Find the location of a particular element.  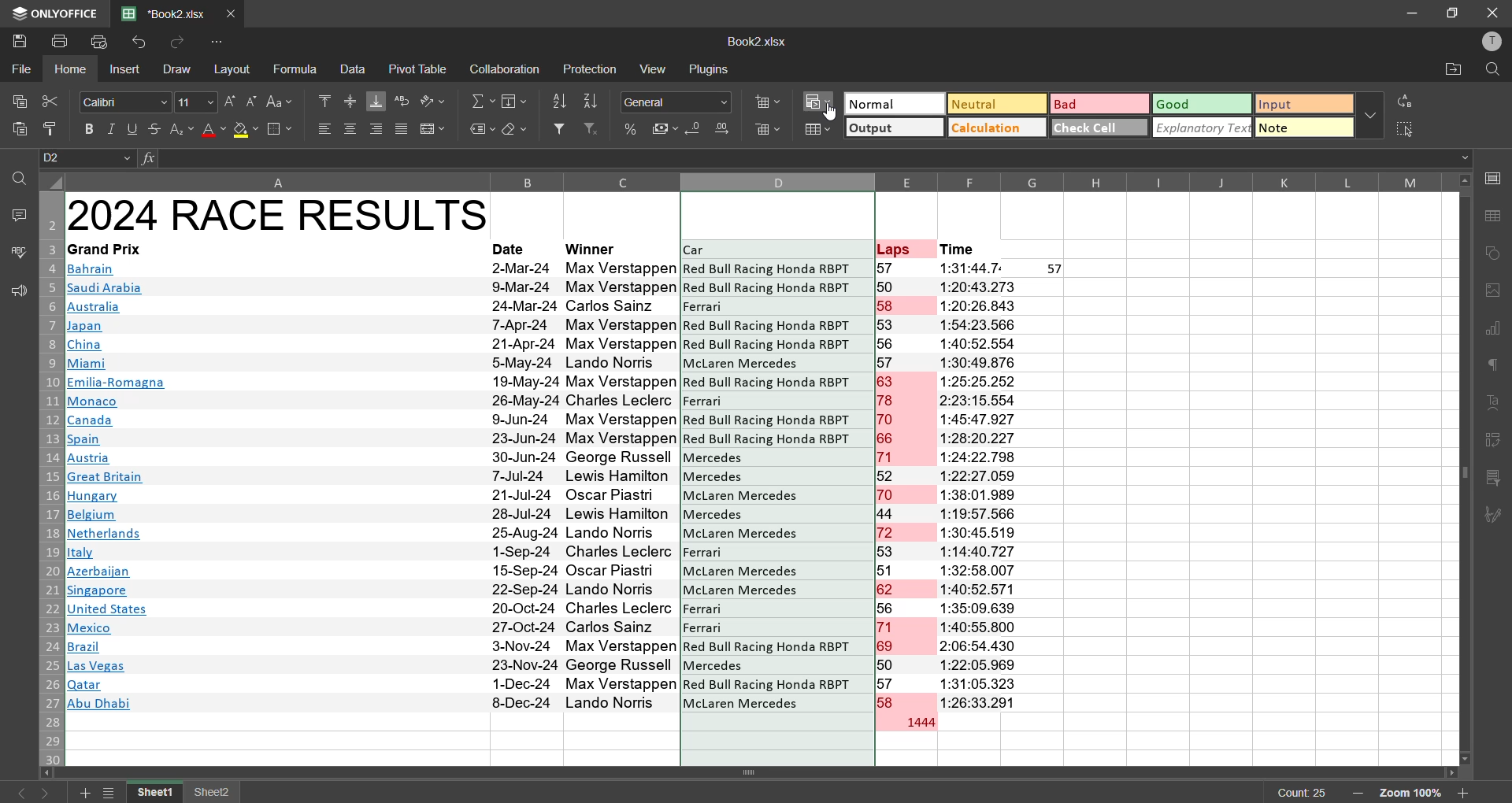

call settings is located at coordinates (1495, 182).